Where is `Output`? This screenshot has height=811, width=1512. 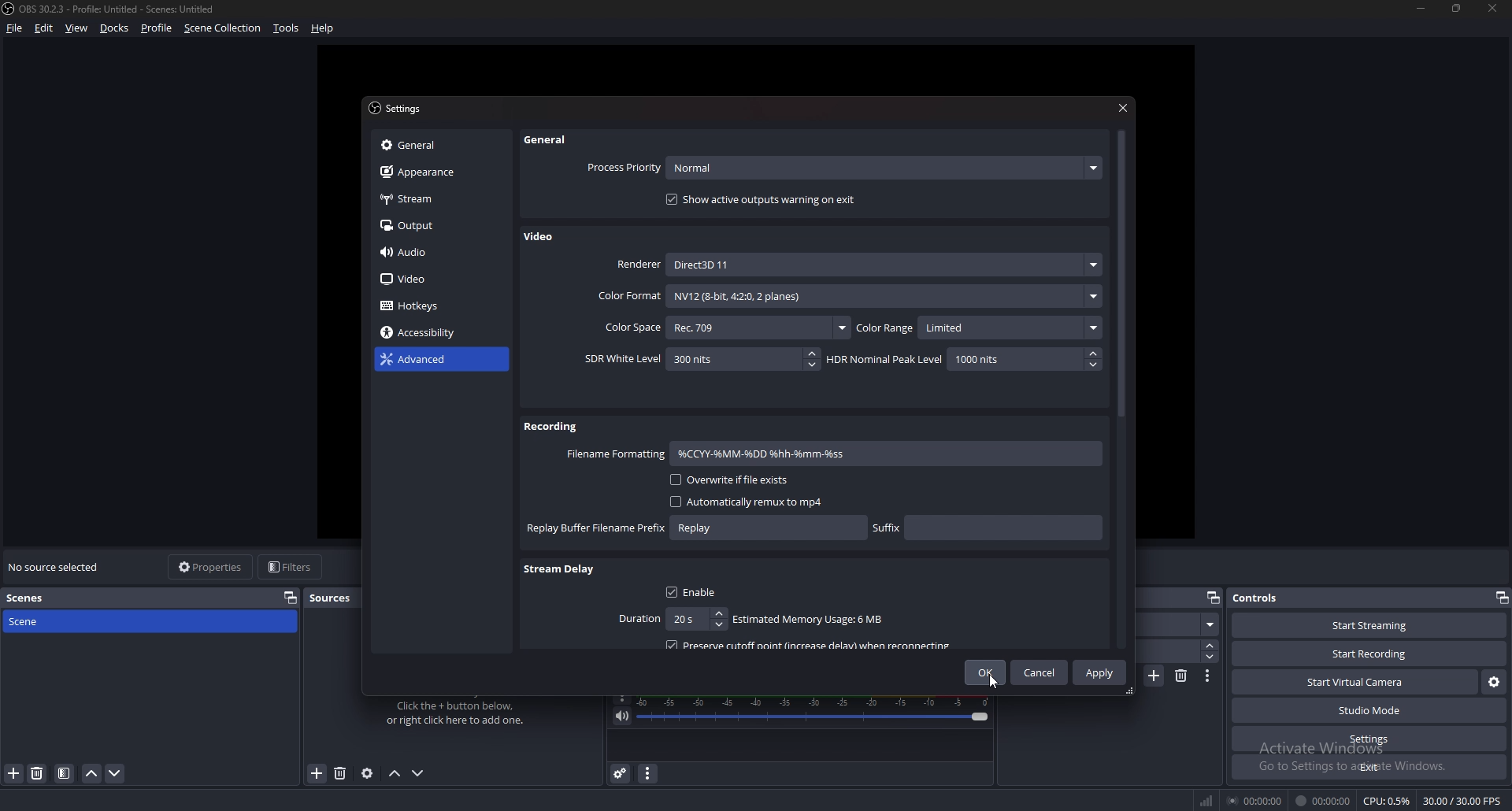
Output is located at coordinates (437, 224).